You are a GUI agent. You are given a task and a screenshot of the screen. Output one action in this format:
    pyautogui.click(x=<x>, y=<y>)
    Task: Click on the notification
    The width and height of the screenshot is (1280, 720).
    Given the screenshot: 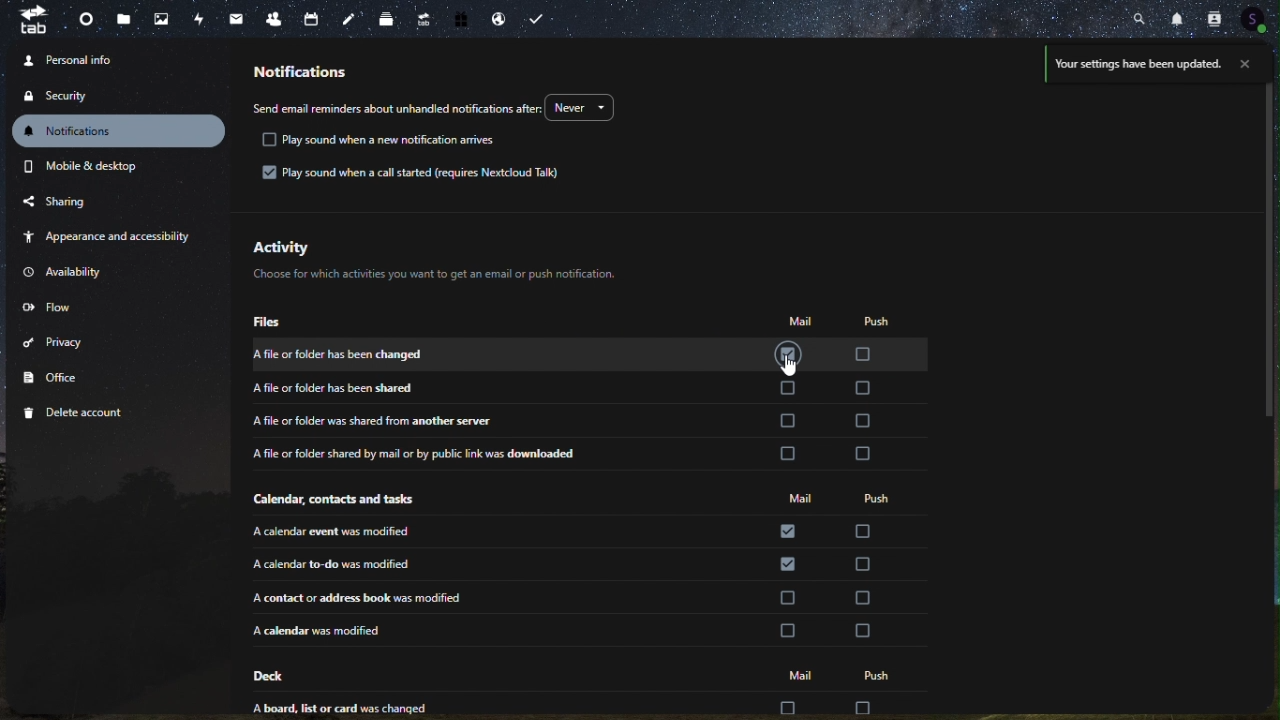 What is the action you would take?
    pyautogui.click(x=1178, y=18)
    